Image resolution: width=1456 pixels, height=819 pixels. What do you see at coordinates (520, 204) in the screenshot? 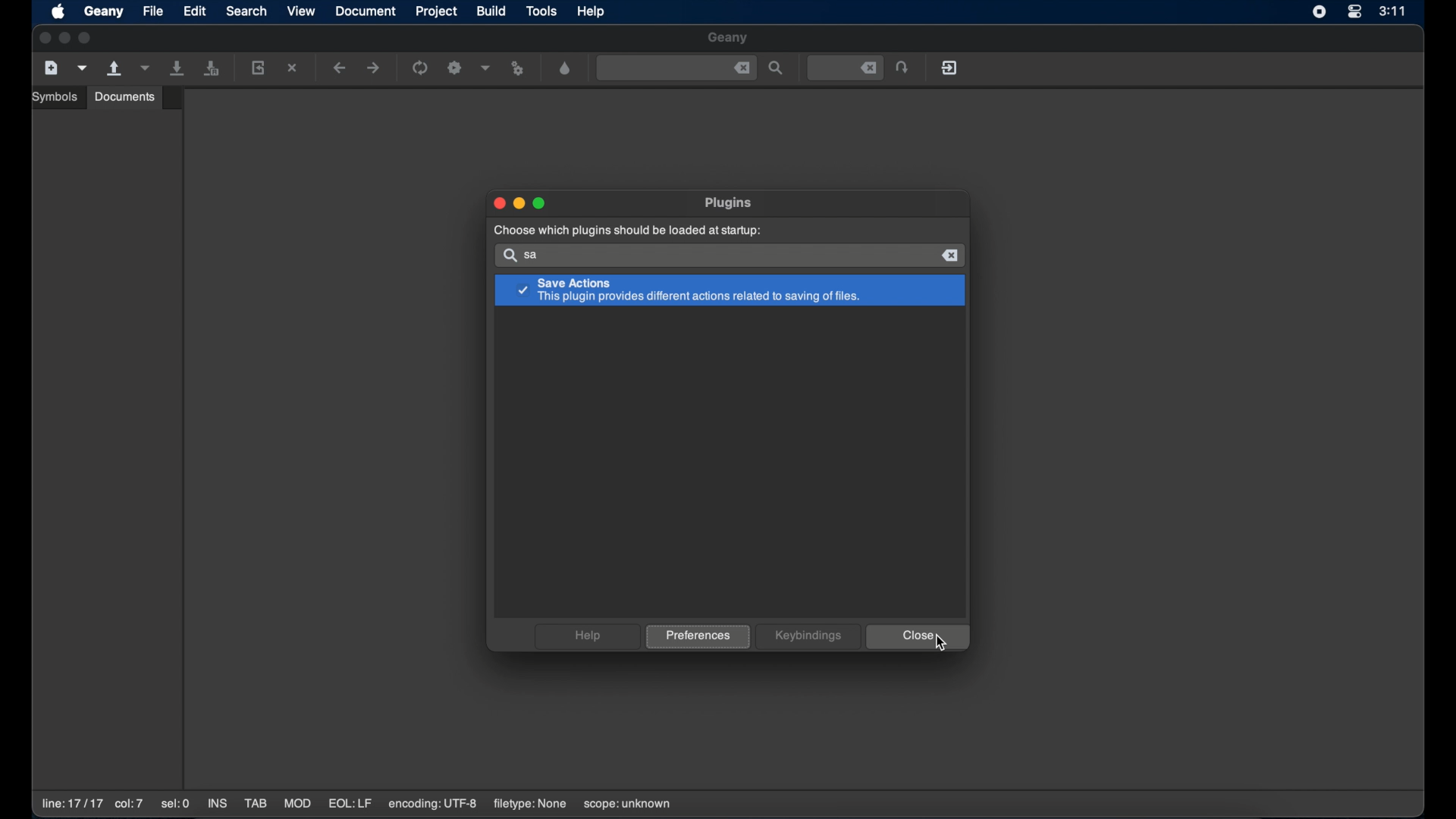
I see `minimize` at bounding box center [520, 204].